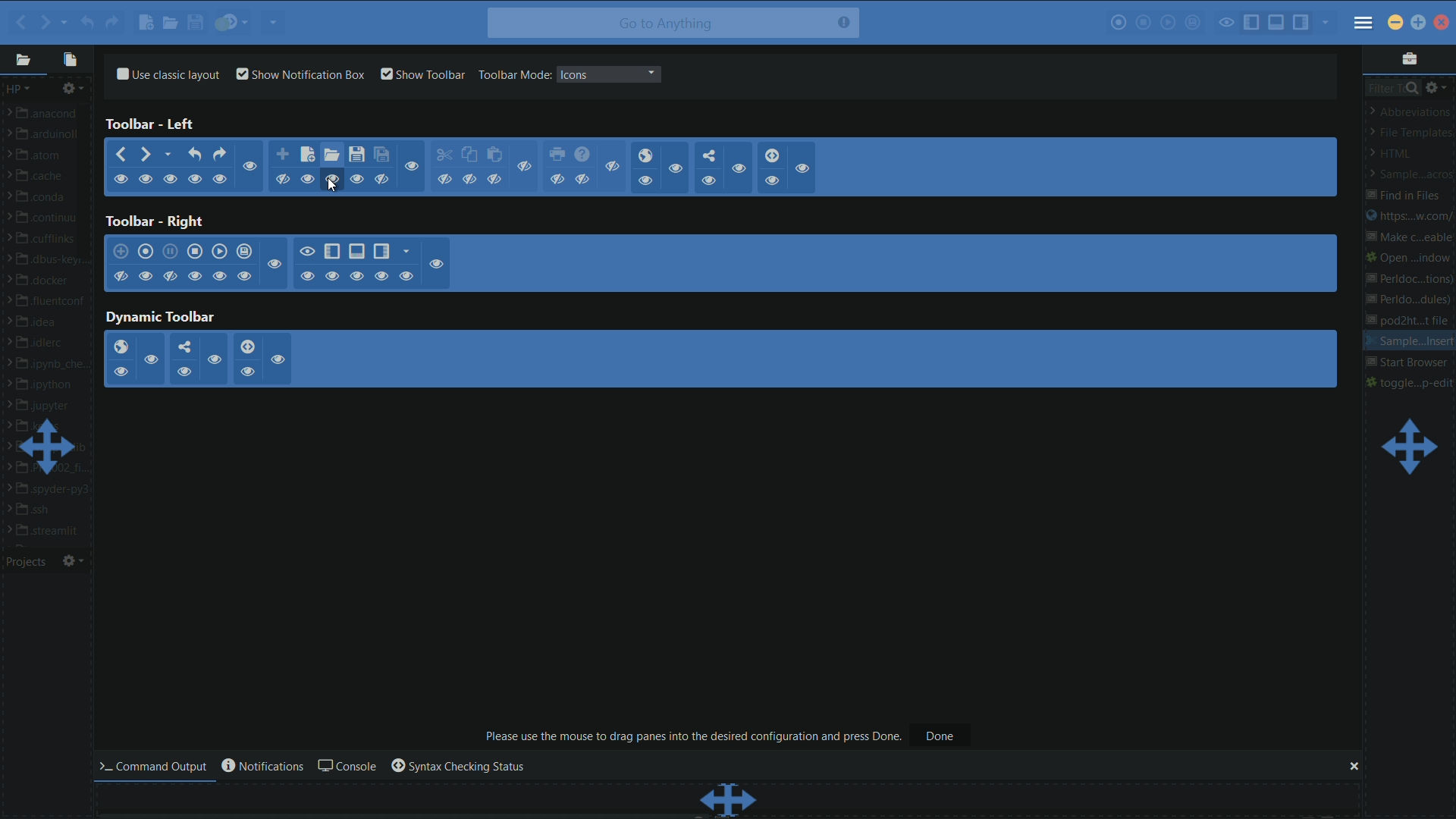 The width and height of the screenshot is (1456, 819). I want to click on hide/show, so click(307, 250).